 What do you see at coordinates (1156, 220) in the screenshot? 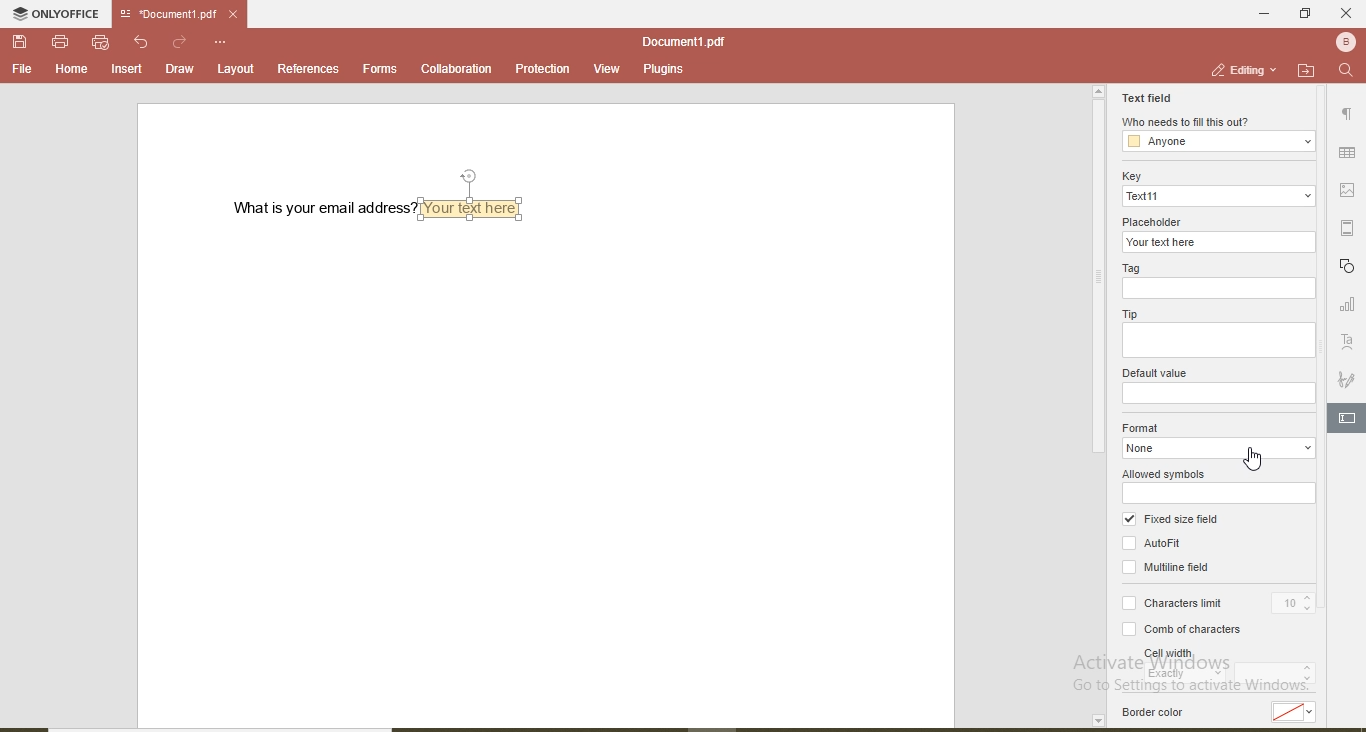
I see `placeholder` at bounding box center [1156, 220].